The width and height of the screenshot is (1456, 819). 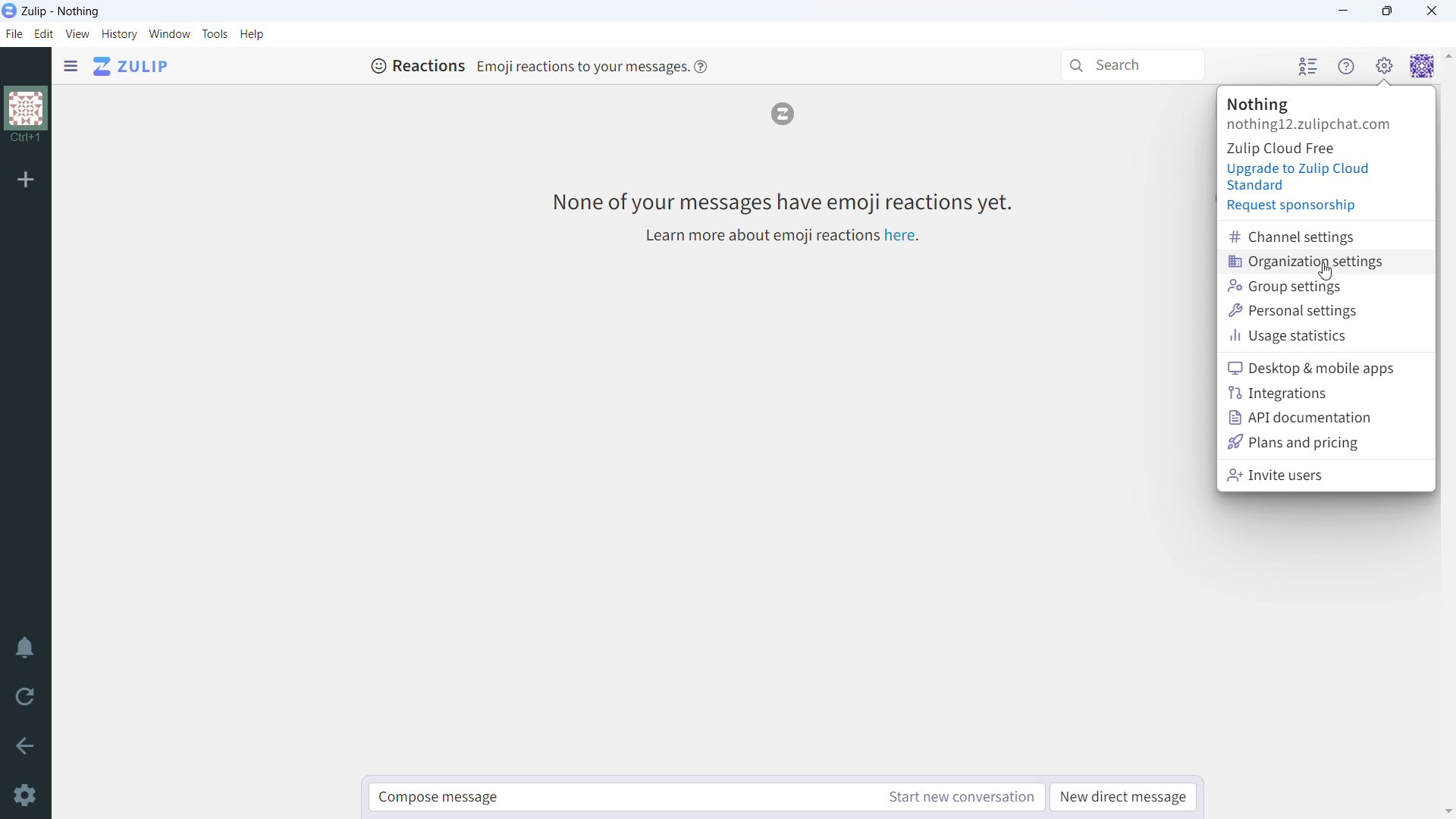 I want to click on maximize, so click(x=1388, y=11).